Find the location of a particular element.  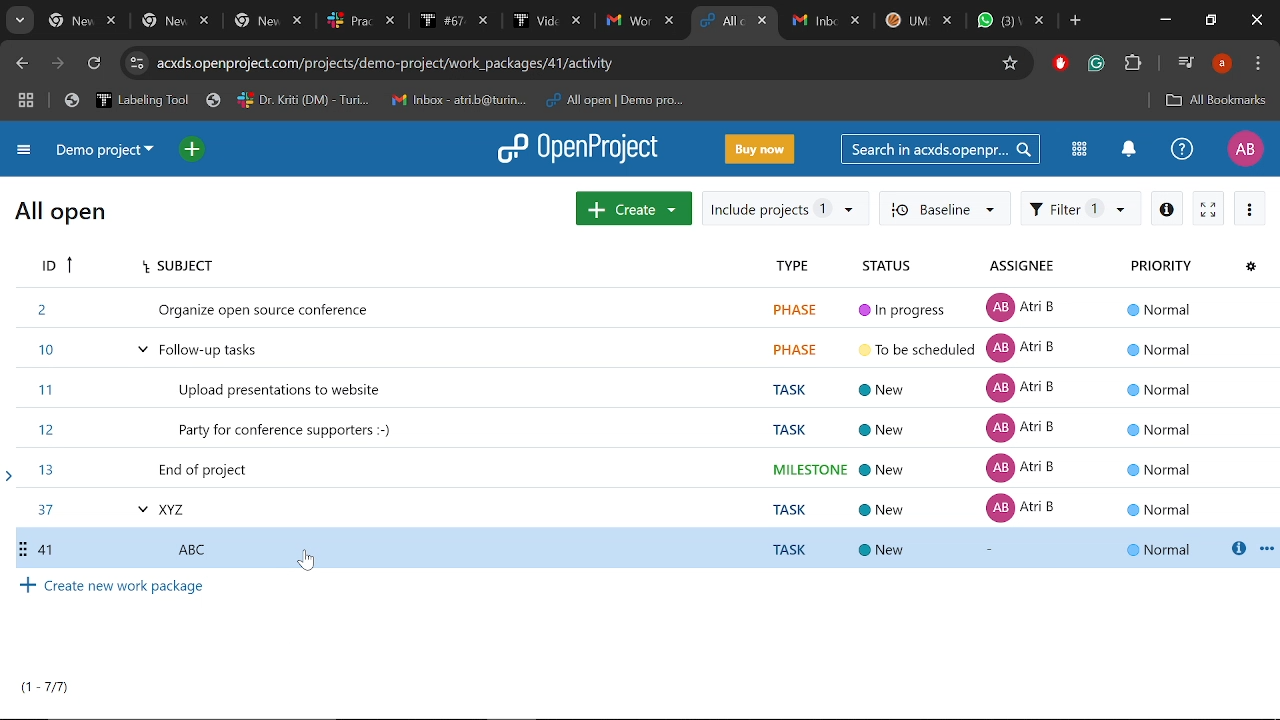

Minimize is located at coordinates (1164, 22).